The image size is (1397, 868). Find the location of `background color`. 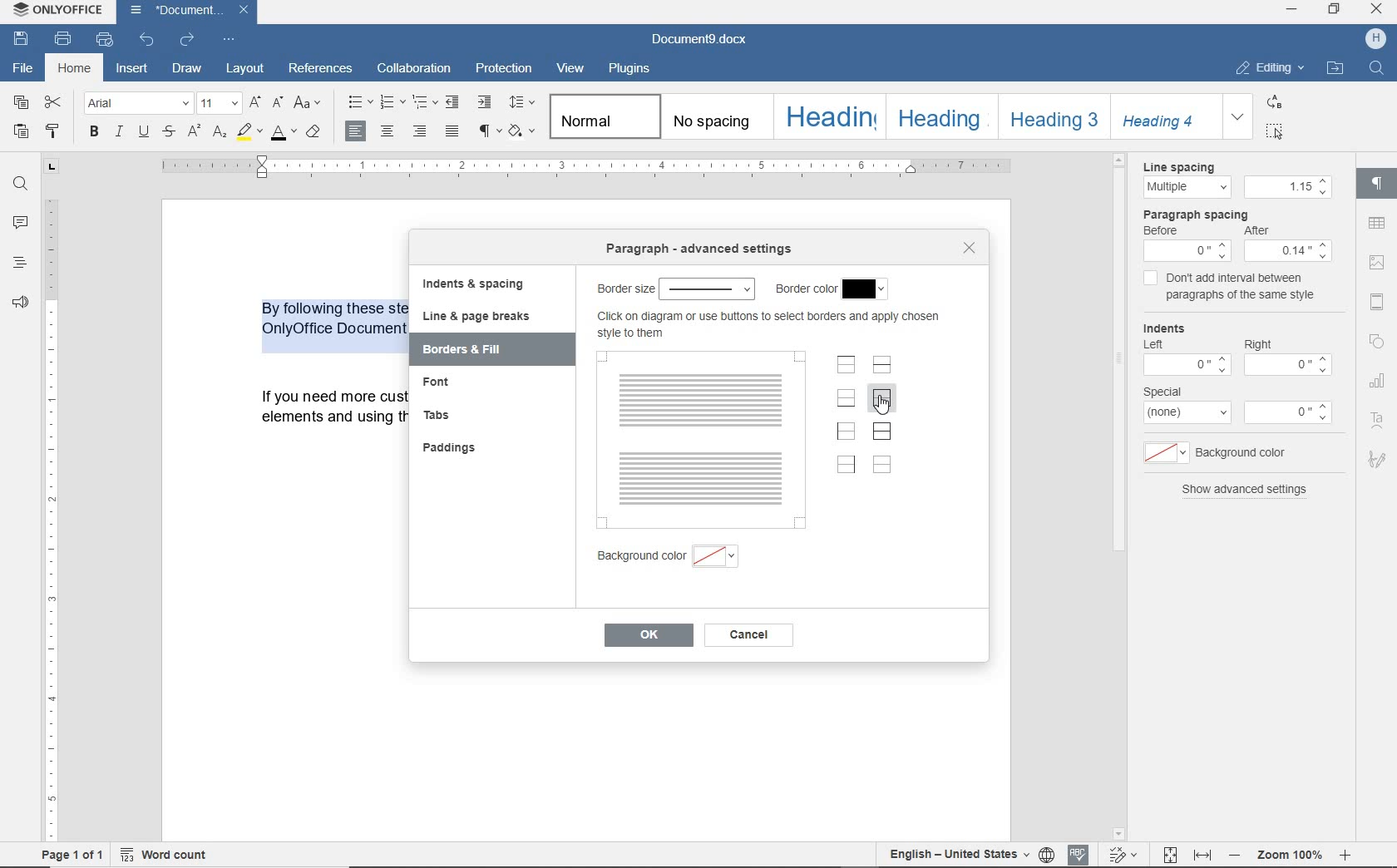

background color is located at coordinates (635, 557).